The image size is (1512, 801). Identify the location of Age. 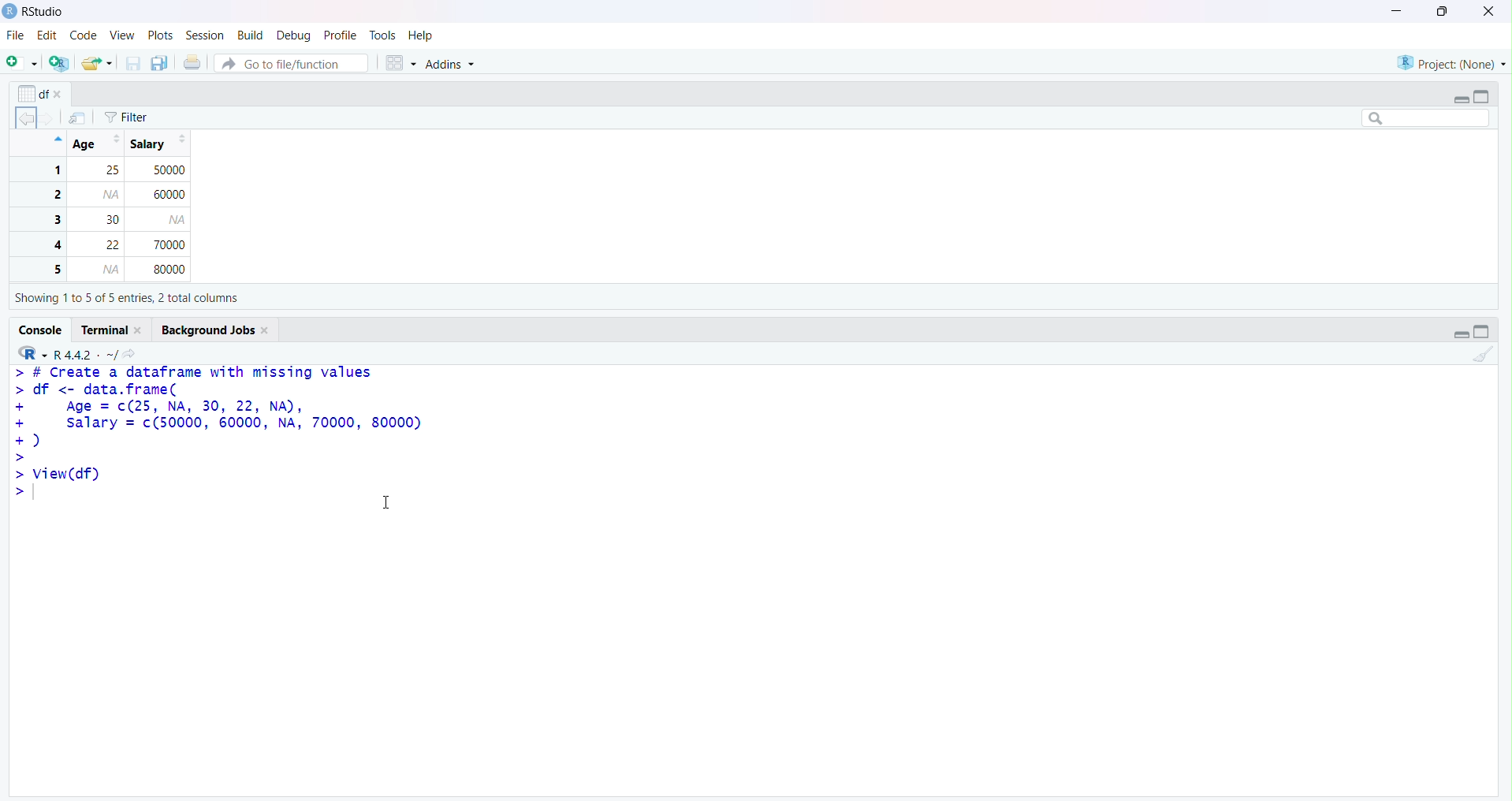
(96, 144).